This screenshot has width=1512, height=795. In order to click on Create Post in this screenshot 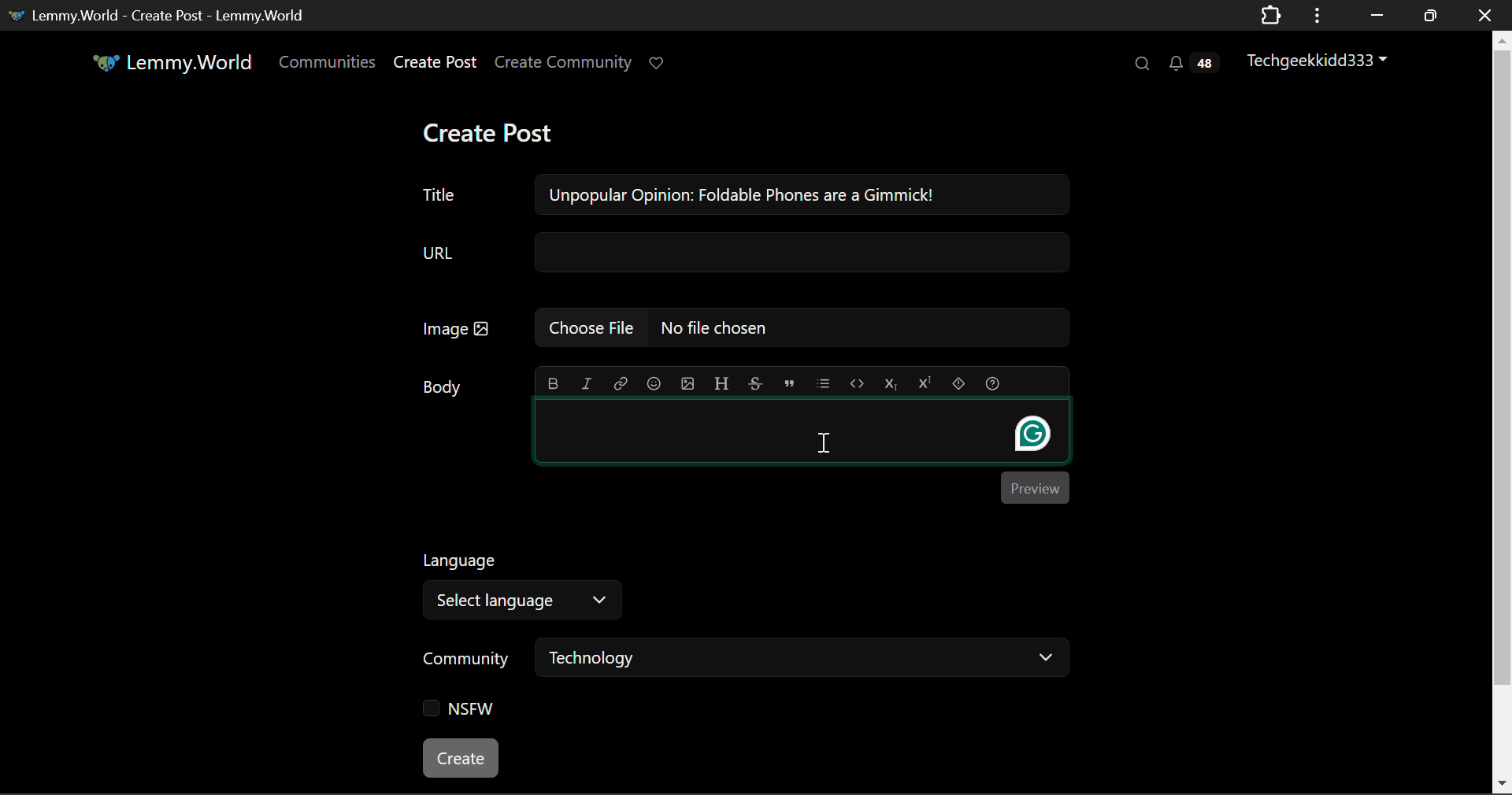, I will do `click(434, 65)`.